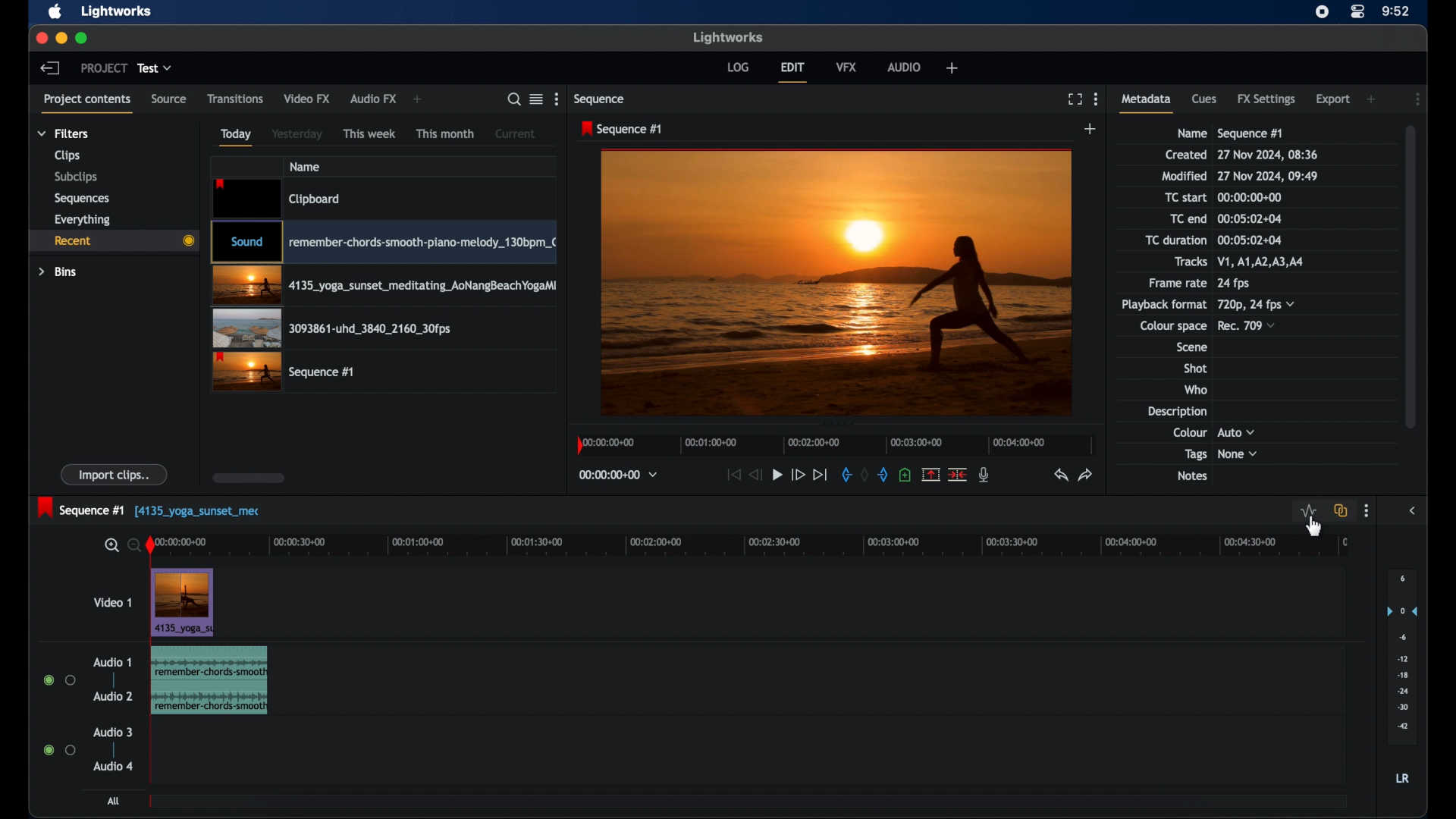  I want to click on clips, so click(68, 155).